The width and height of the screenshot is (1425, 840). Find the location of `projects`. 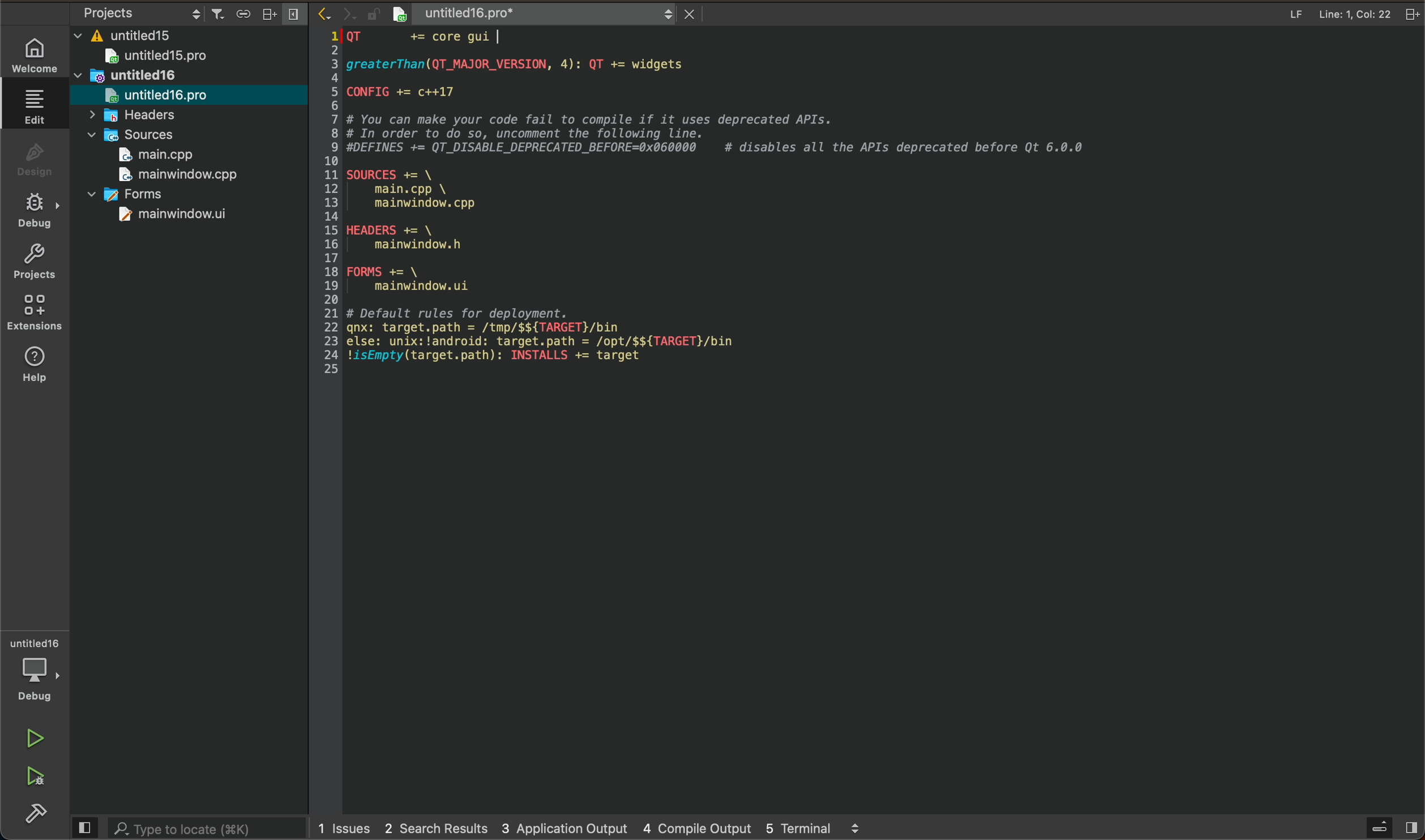

projects is located at coordinates (40, 265).